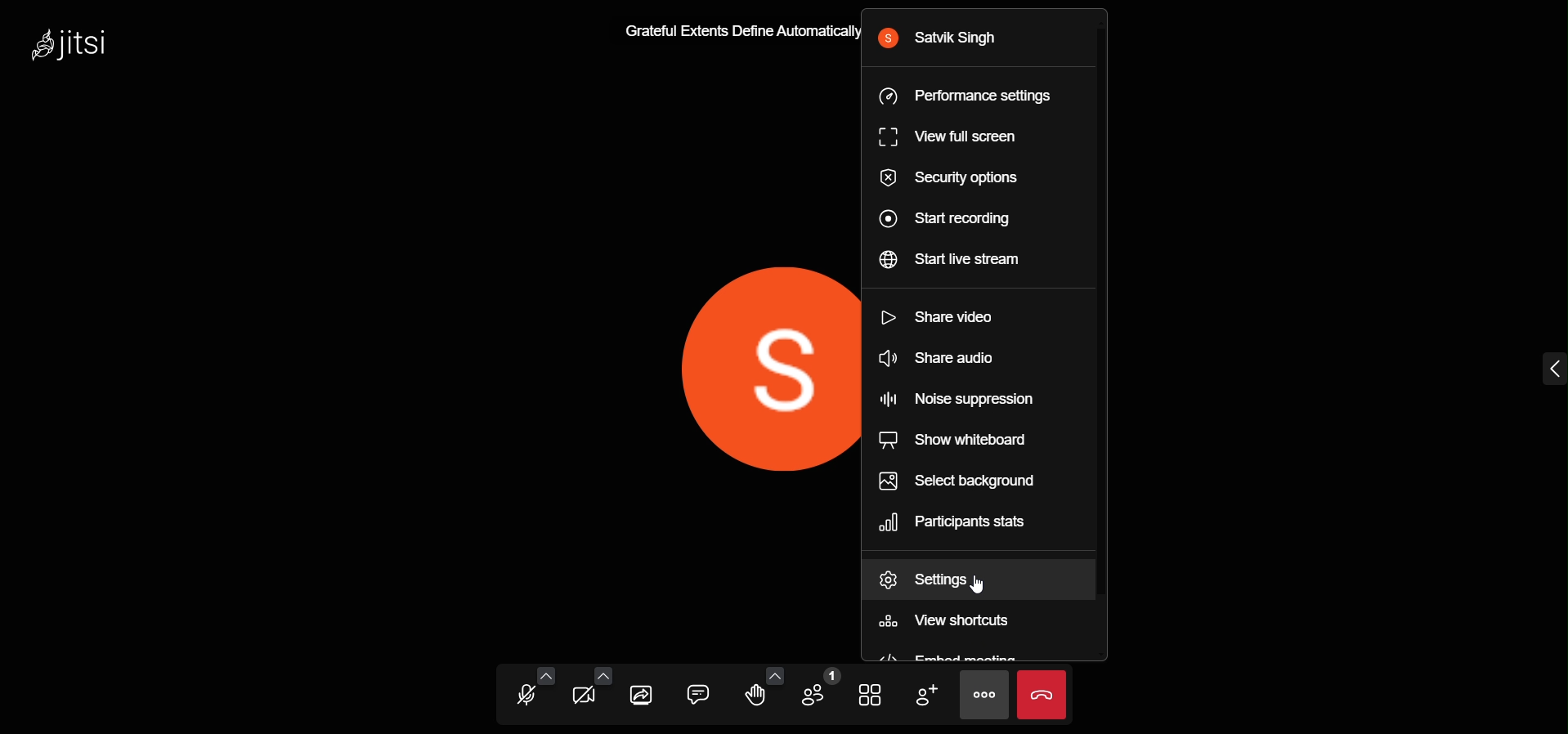 This screenshot has width=1568, height=734. Describe the element at coordinates (946, 580) in the screenshot. I see `setting` at that location.